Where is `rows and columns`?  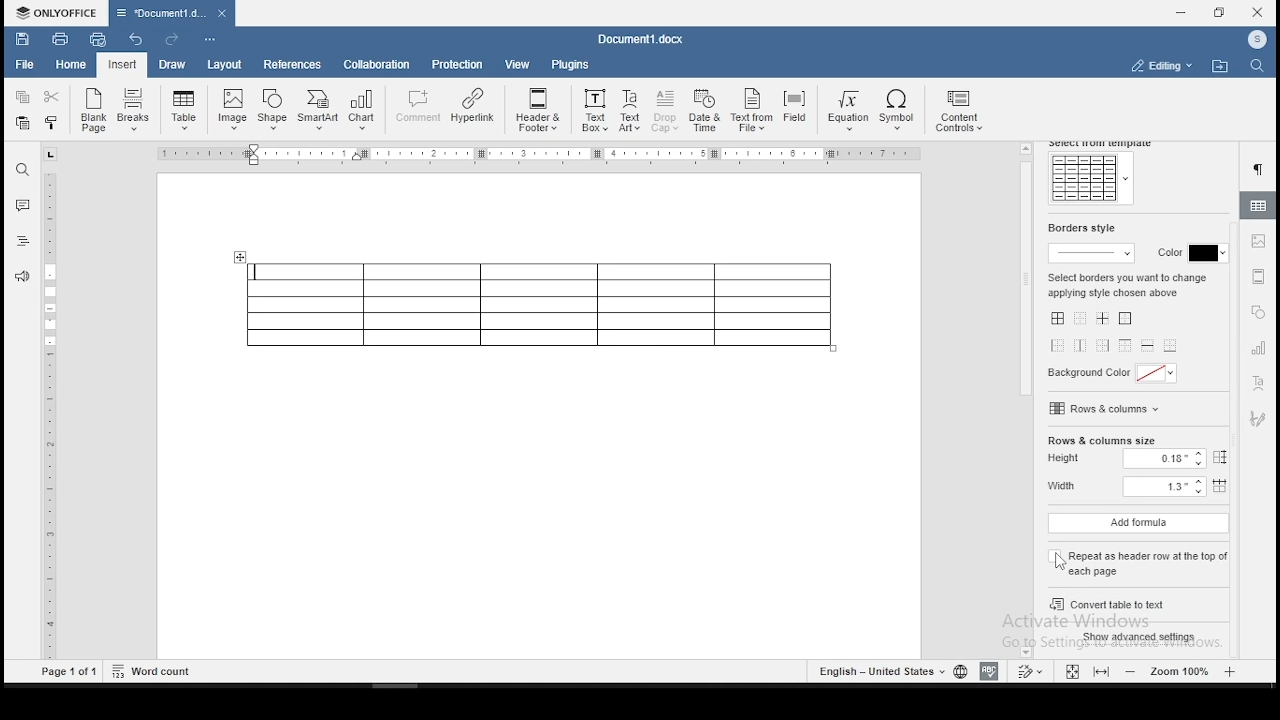
rows and columns is located at coordinates (1107, 408).